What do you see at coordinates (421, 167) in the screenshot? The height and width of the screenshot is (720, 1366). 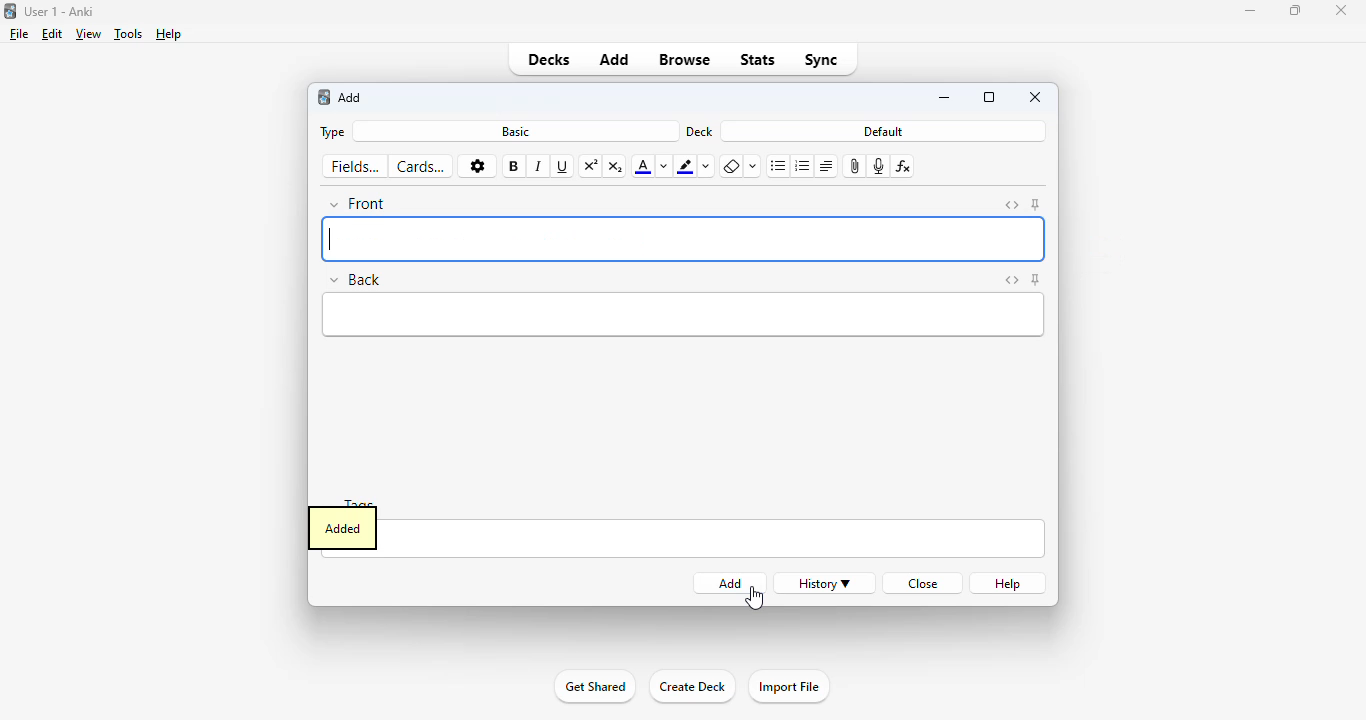 I see `cards` at bounding box center [421, 167].